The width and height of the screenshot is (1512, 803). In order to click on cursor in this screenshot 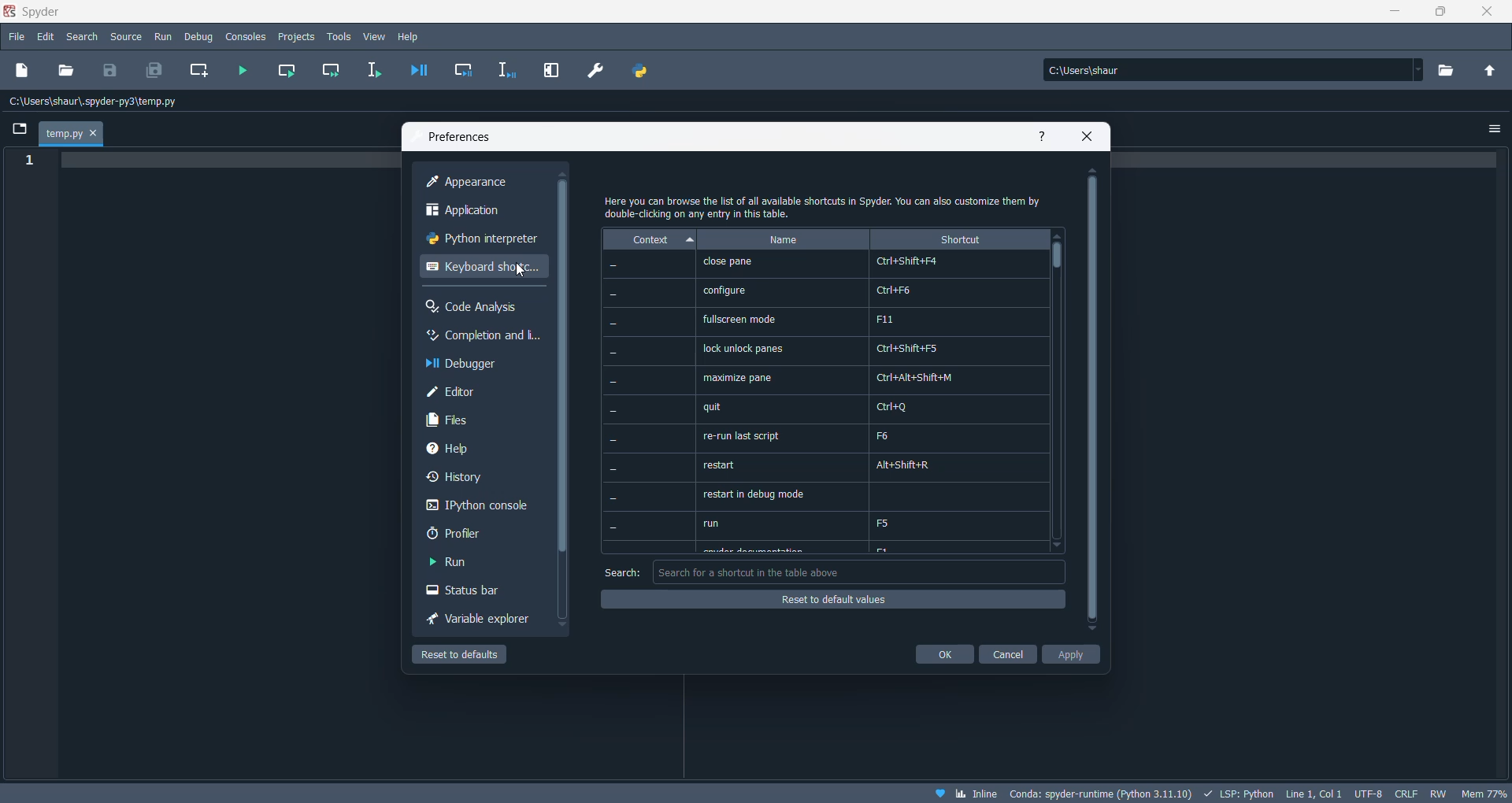, I will do `click(521, 272)`.